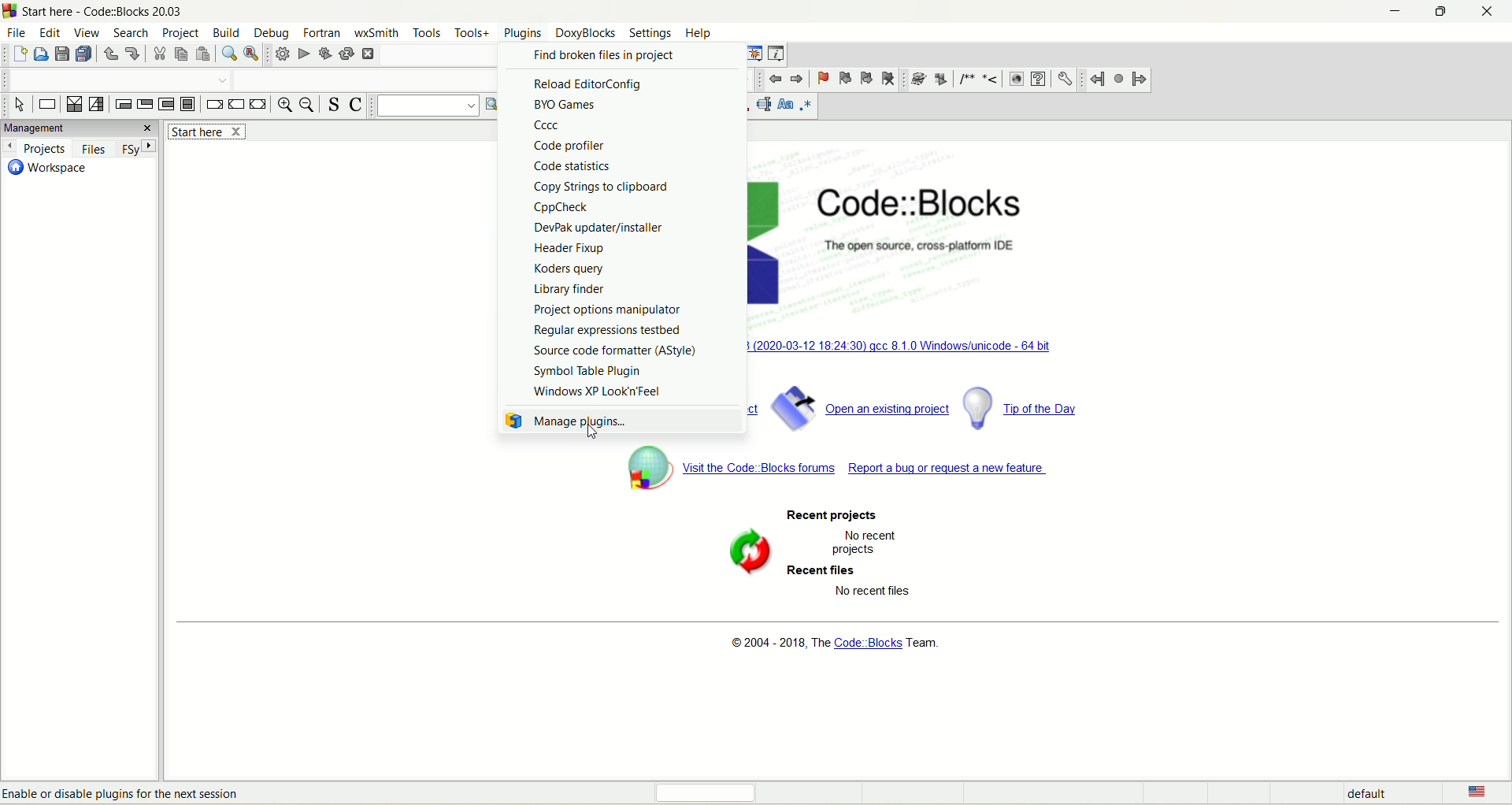 This screenshot has height=805, width=1512. What do you see at coordinates (825, 572) in the screenshot?
I see `recent files` at bounding box center [825, 572].